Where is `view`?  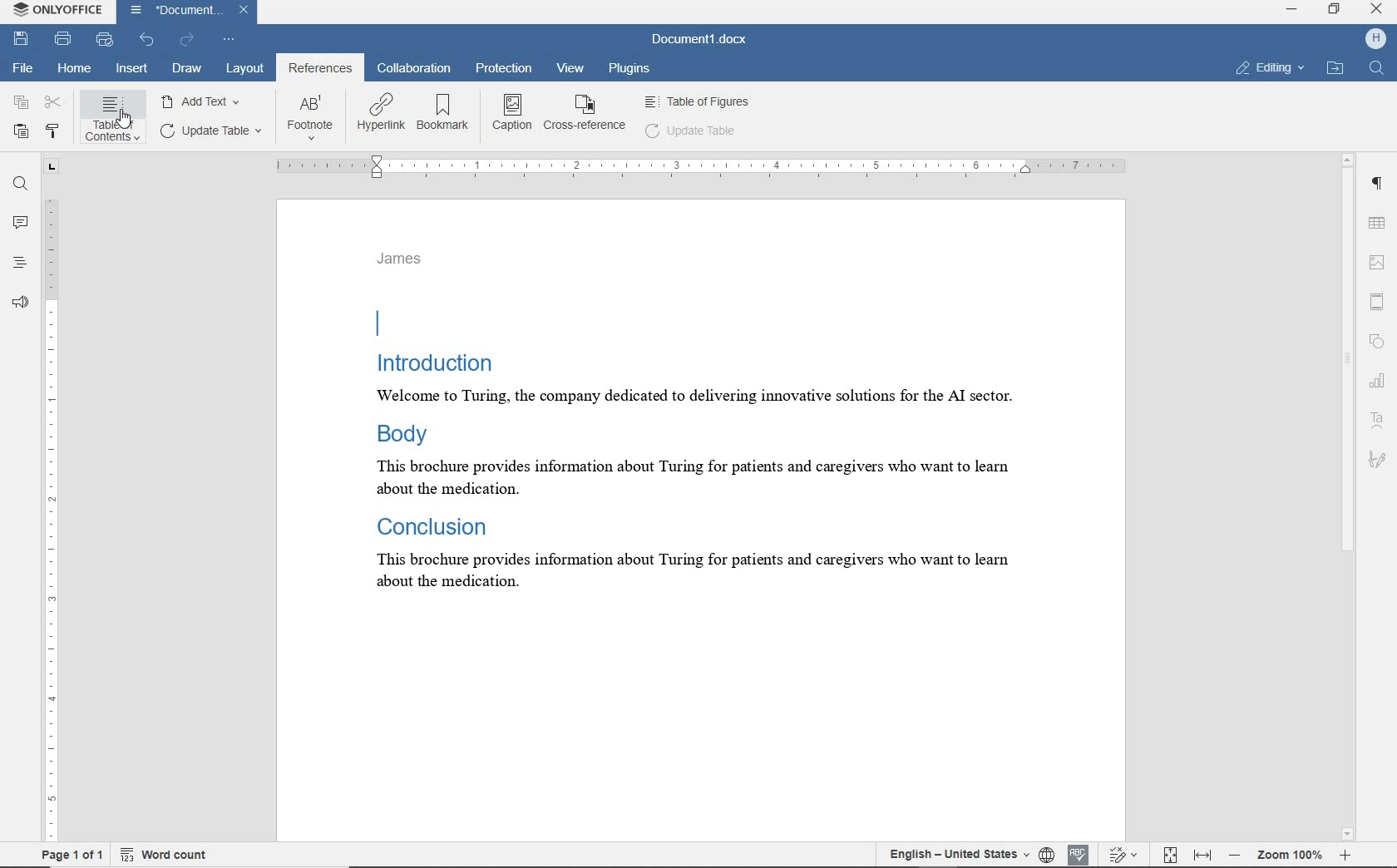
view is located at coordinates (571, 68).